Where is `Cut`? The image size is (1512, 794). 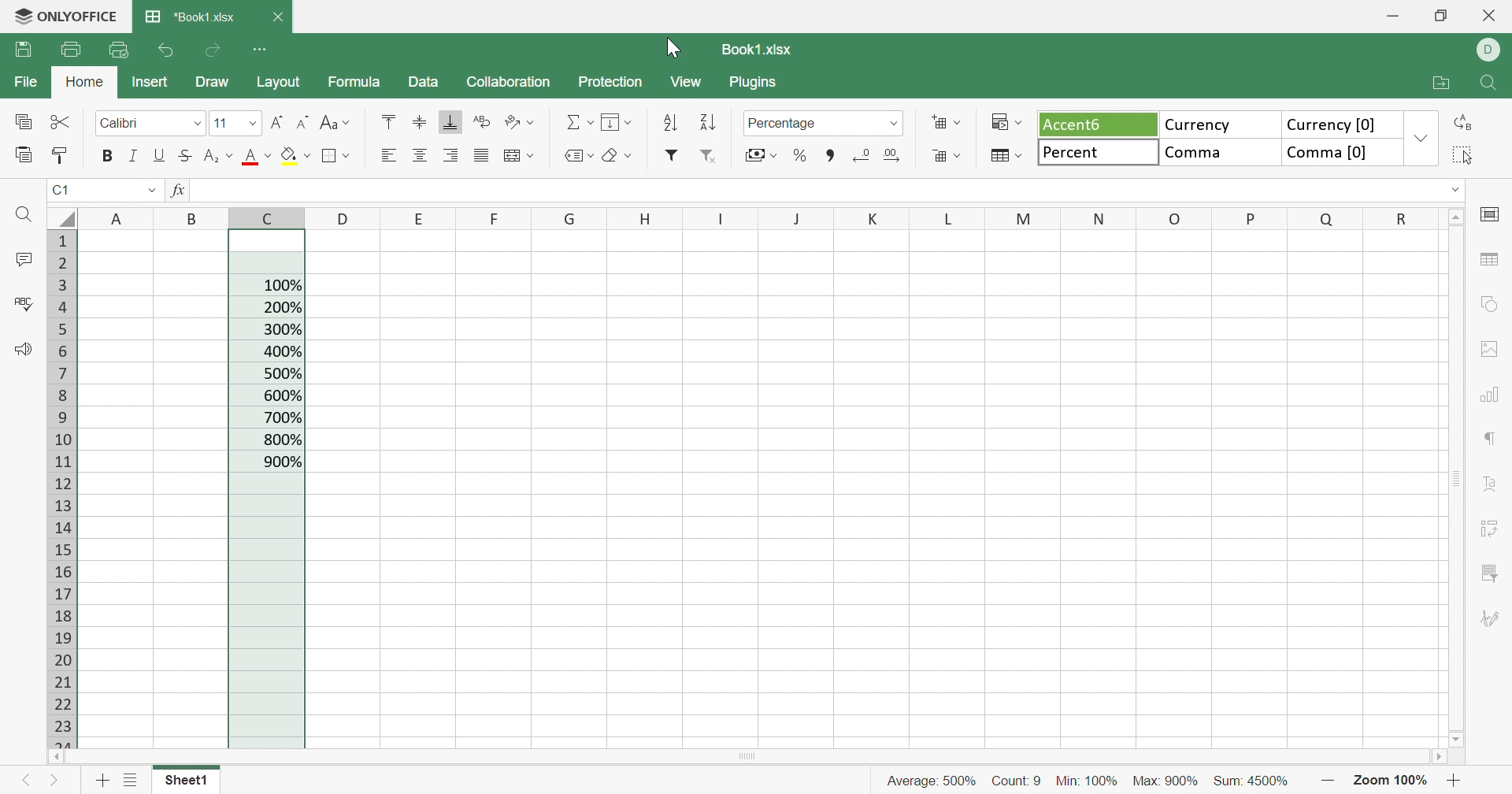
Cut is located at coordinates (60, 121).